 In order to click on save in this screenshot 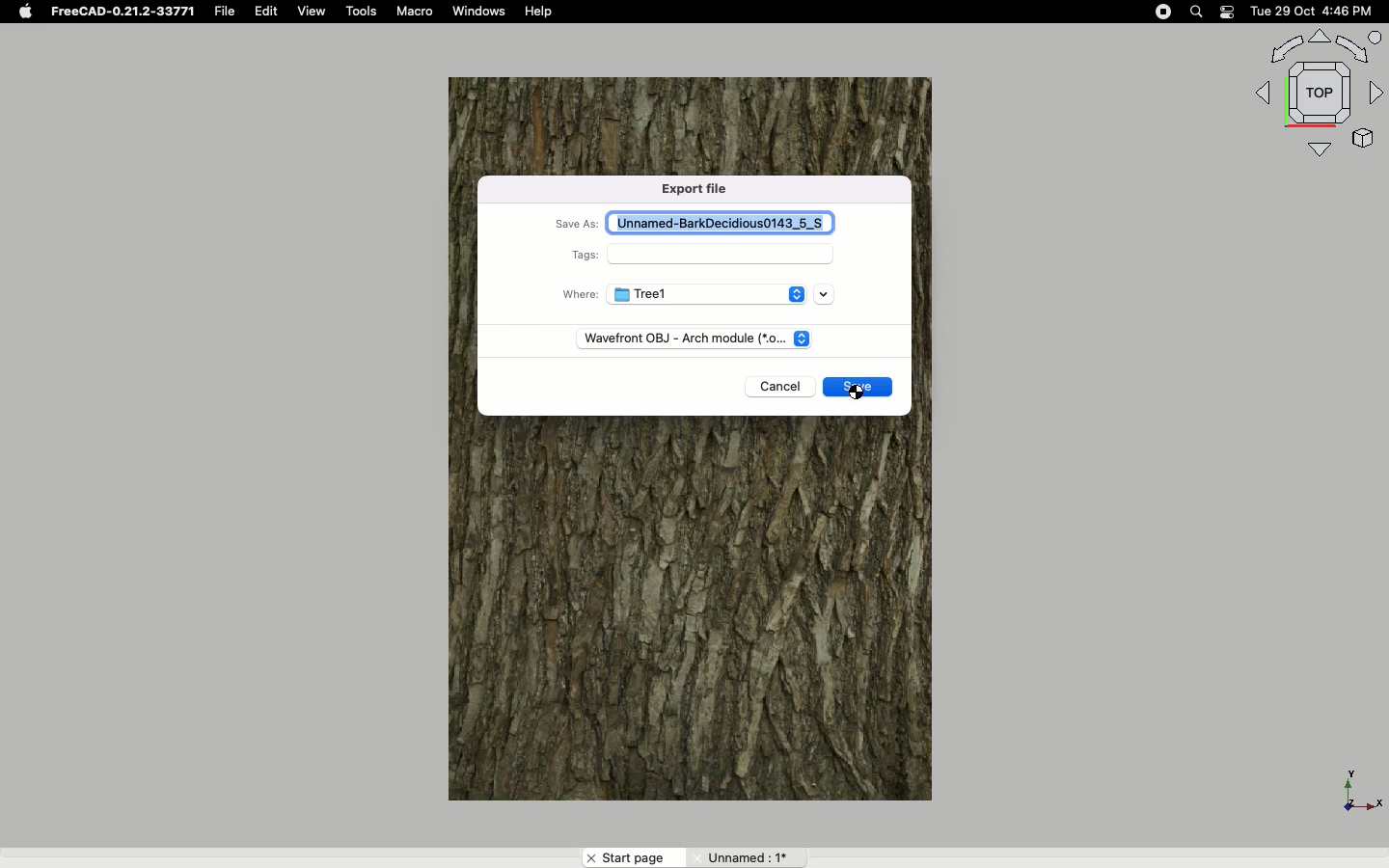, I will do `click(861, 389)`.